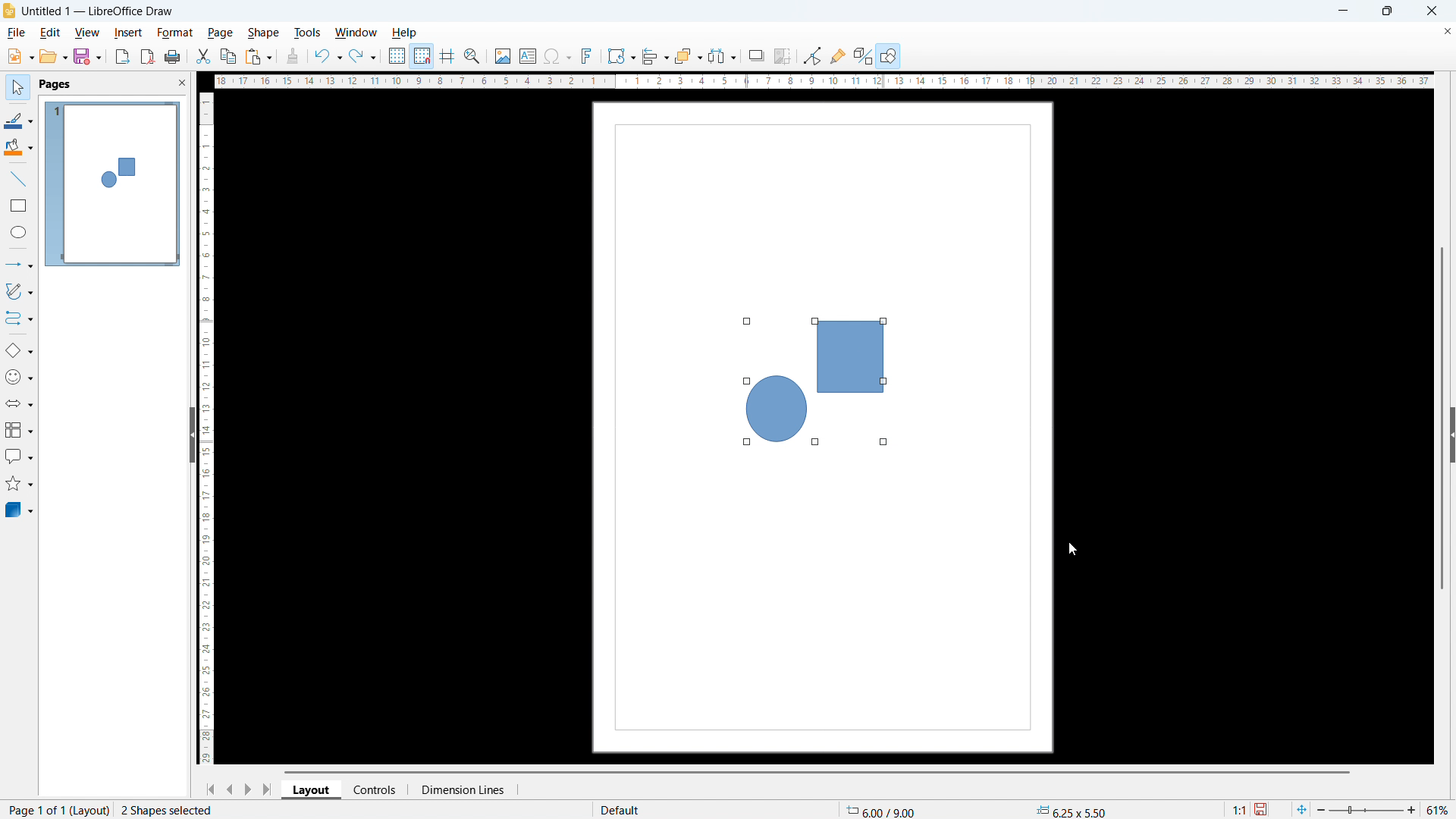 The width and height of the screenshot is (1456, 819). I want to click on curves & polygons, so click(20, 291).